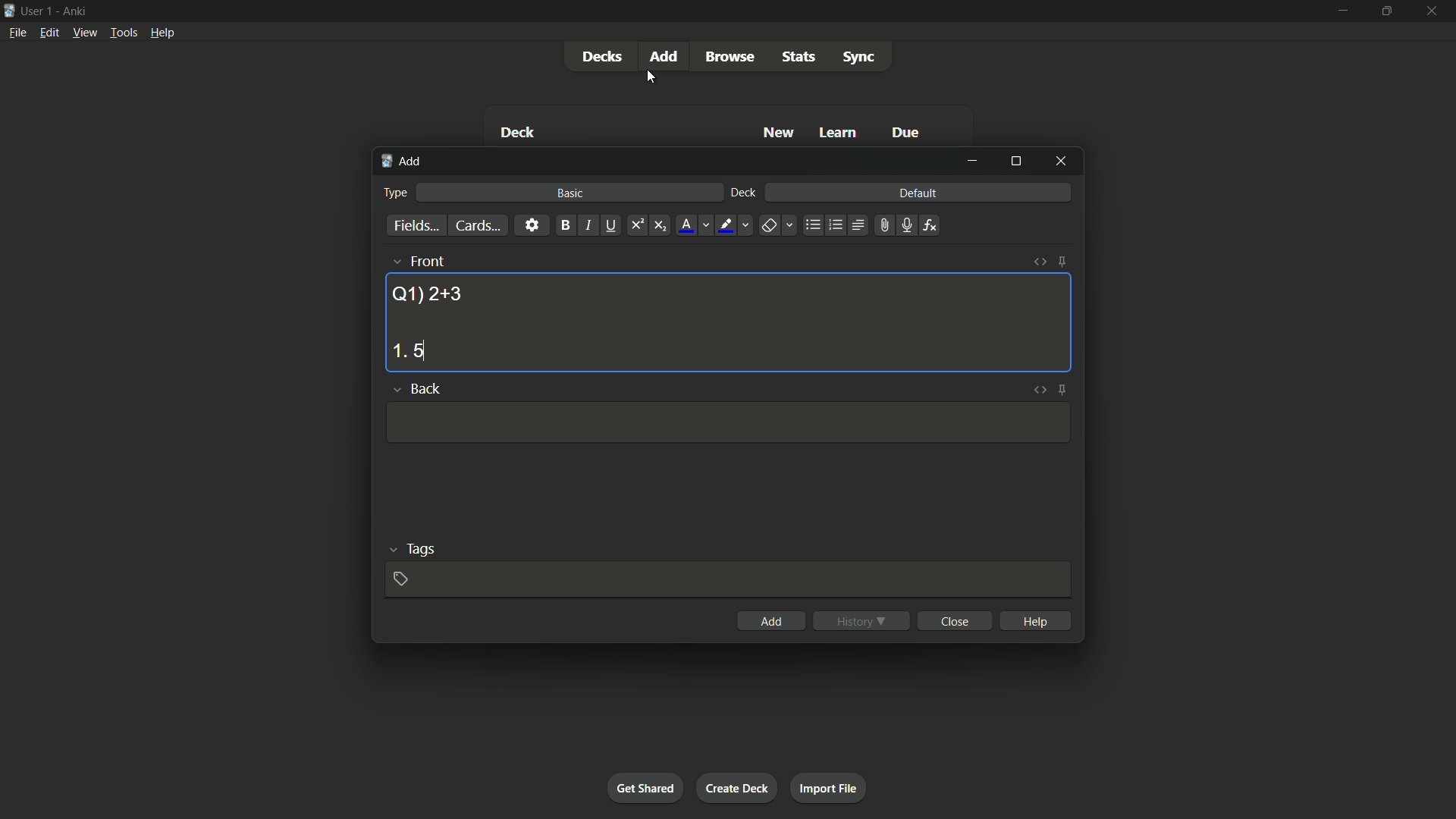 The width and height of the screenshot is (1456, 819). I want to click on unordered list, so click(812, 225).